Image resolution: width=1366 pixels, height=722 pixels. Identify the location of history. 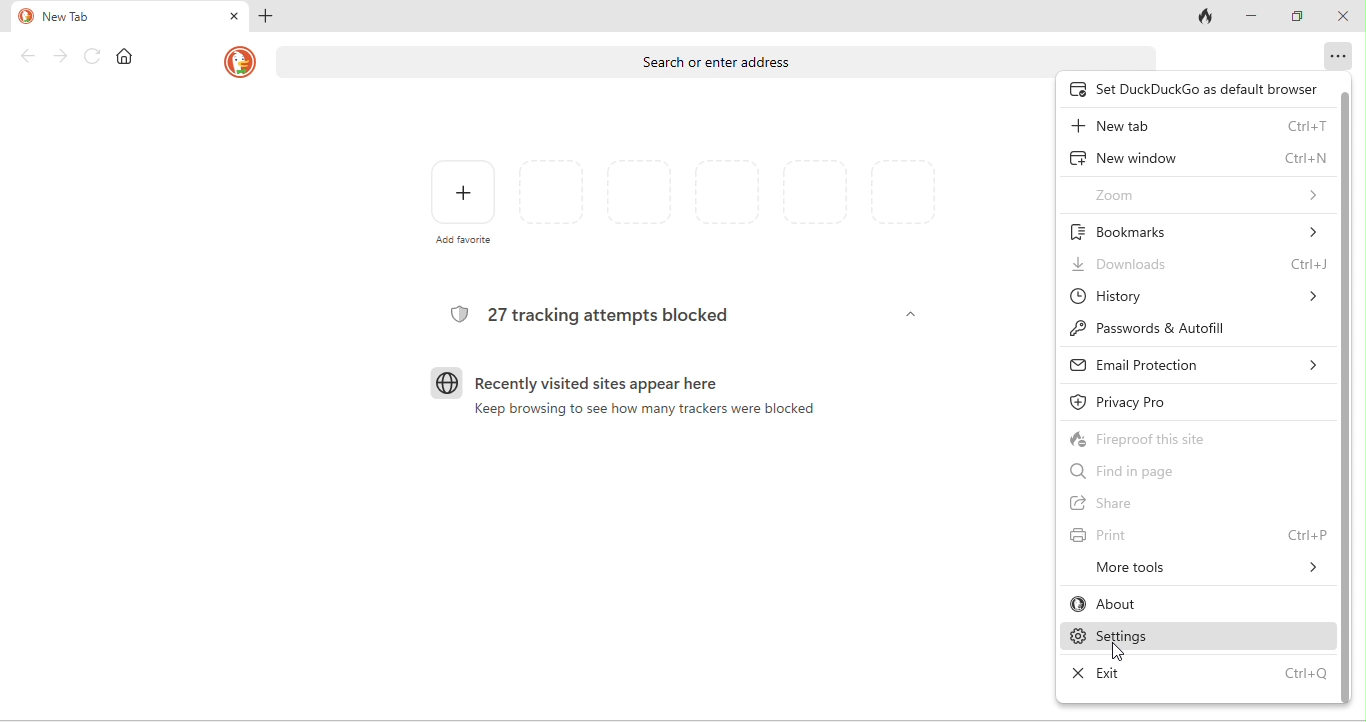
(1197, 297).